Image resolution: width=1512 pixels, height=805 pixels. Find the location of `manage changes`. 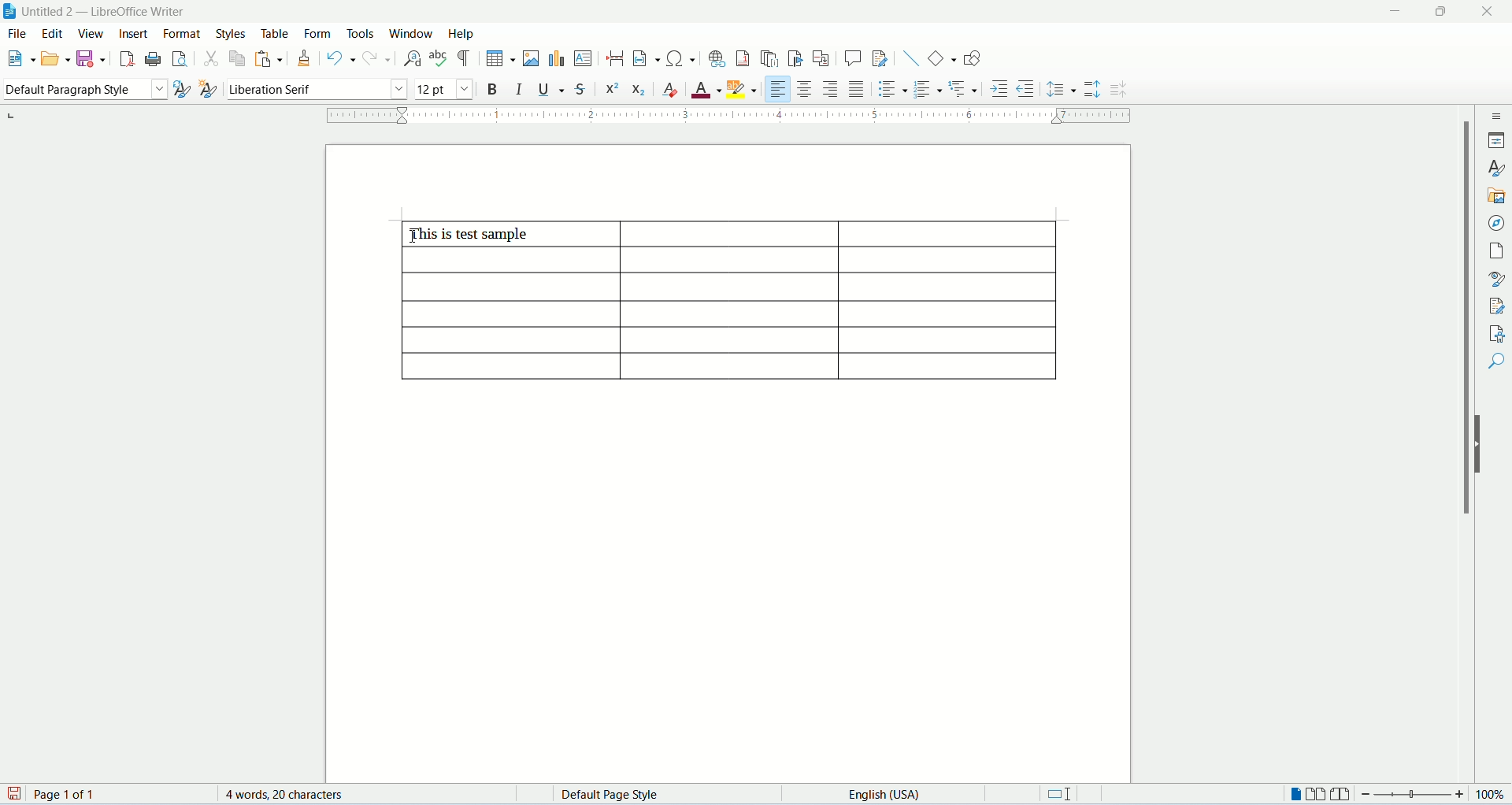

manage changes is located at coordinates (1498, 306).